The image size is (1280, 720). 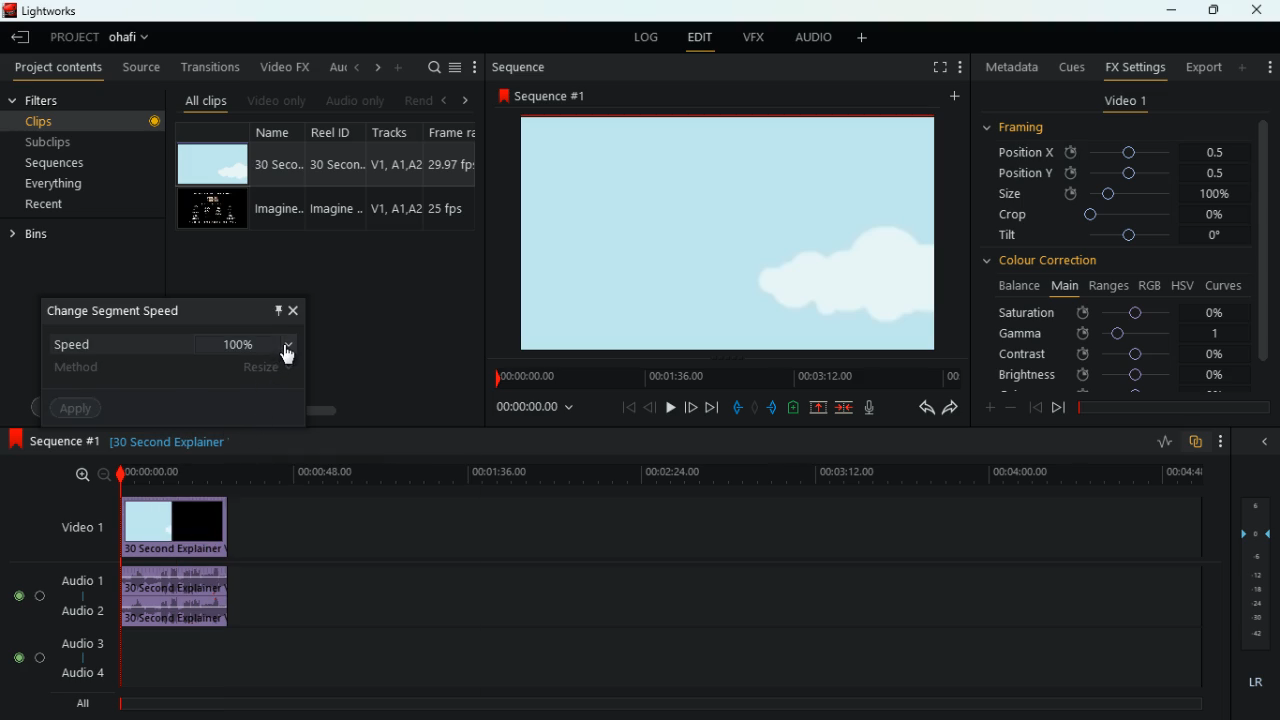 What do you see at coordinates (1264, 440) in the screenshot?
I see `minimize` at bounding box center [1264, 440].